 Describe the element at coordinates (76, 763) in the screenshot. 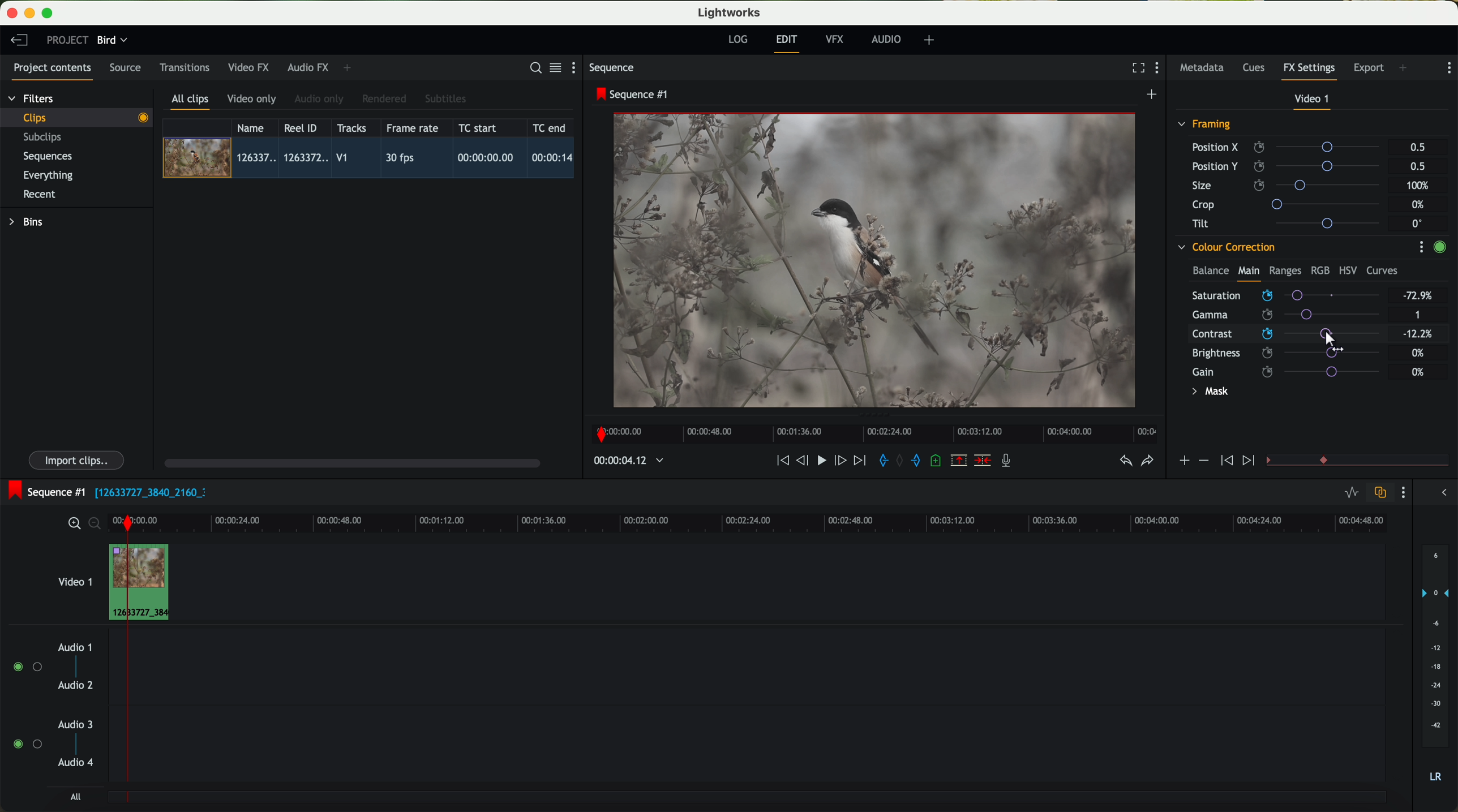

I see `audio 4` at that location.